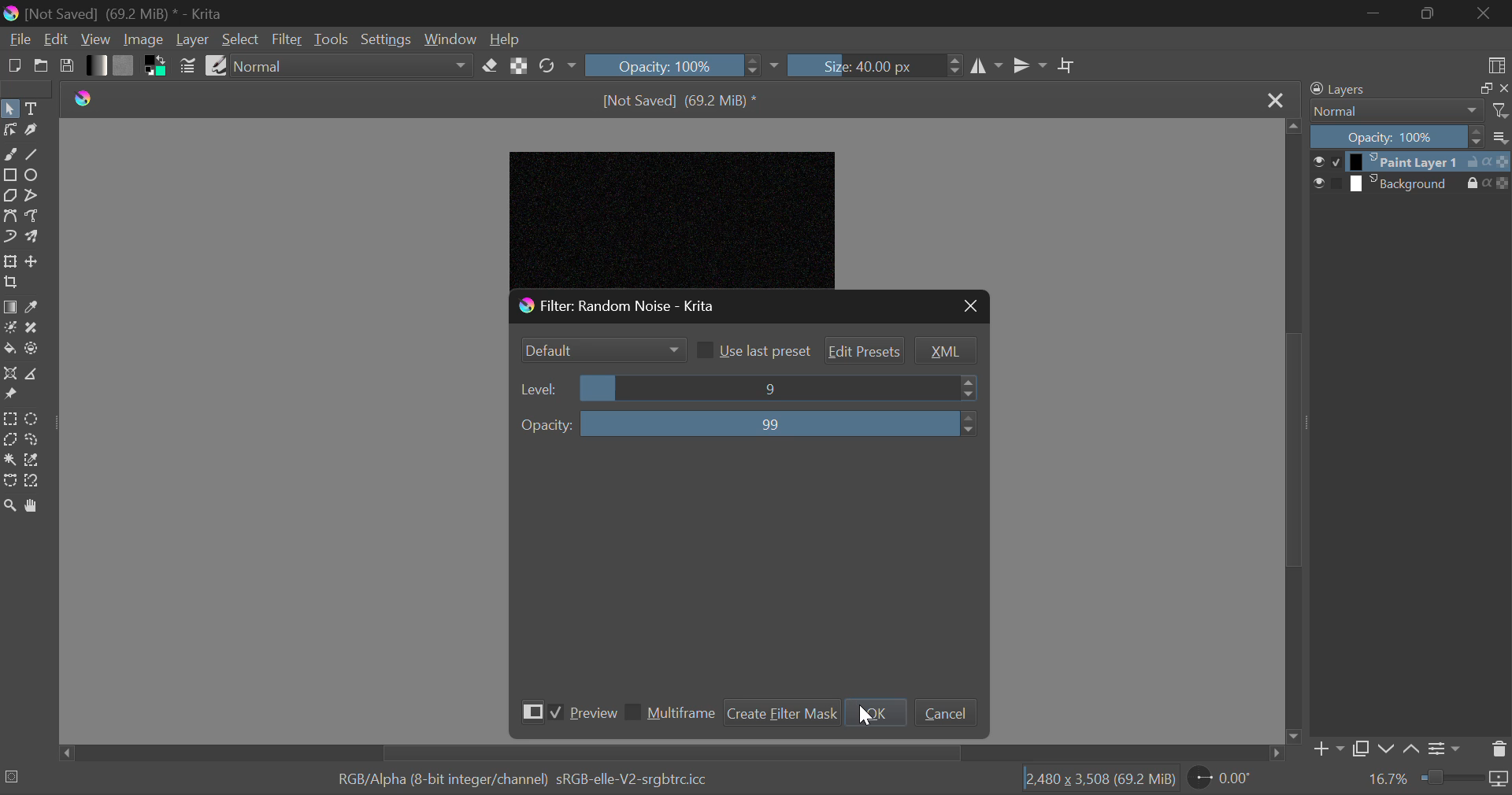  I want to click on Close, so click(970, 306).